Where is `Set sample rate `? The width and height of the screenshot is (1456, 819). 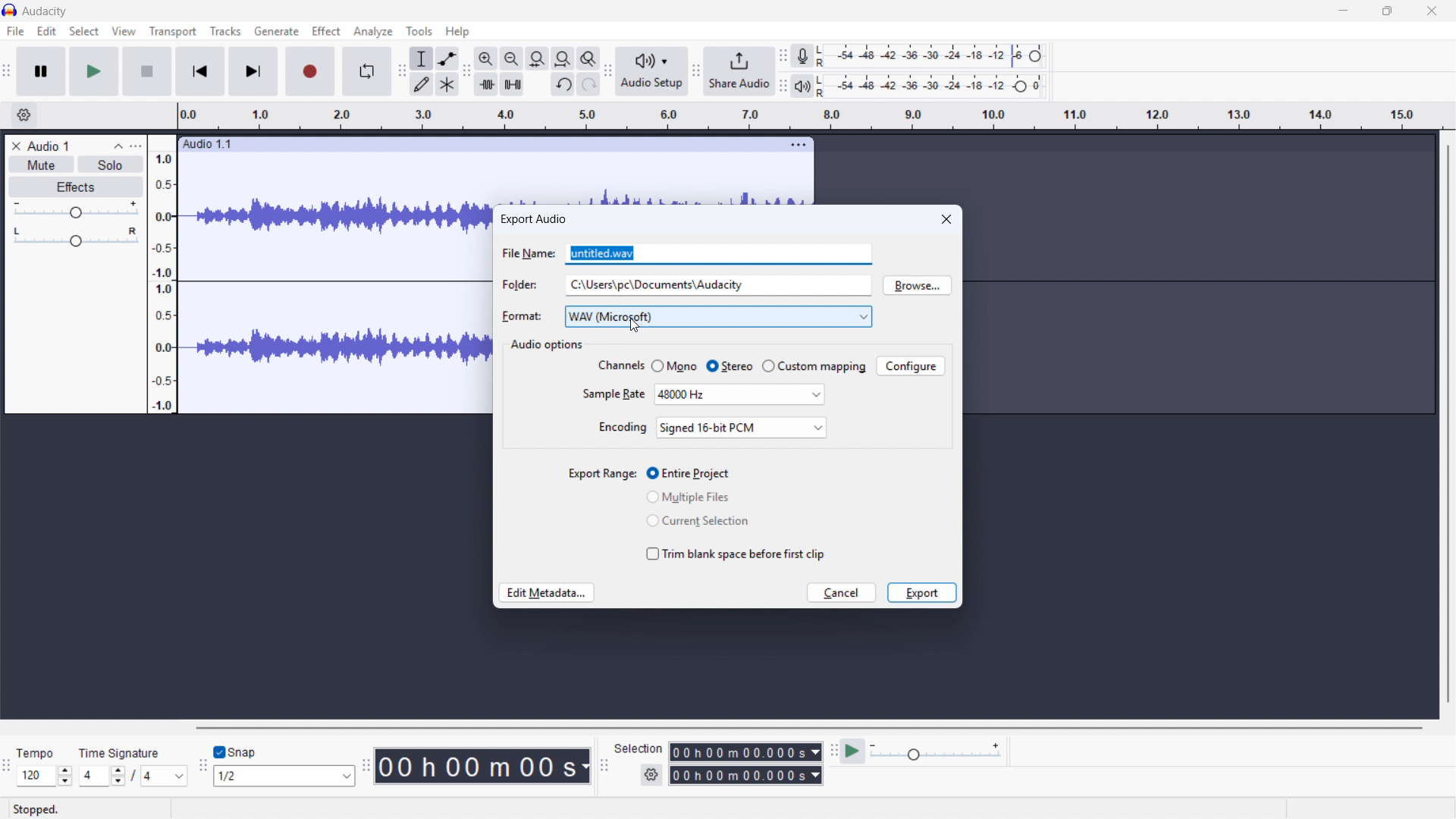
Set sample rate  is located at coordinates (740, 394).